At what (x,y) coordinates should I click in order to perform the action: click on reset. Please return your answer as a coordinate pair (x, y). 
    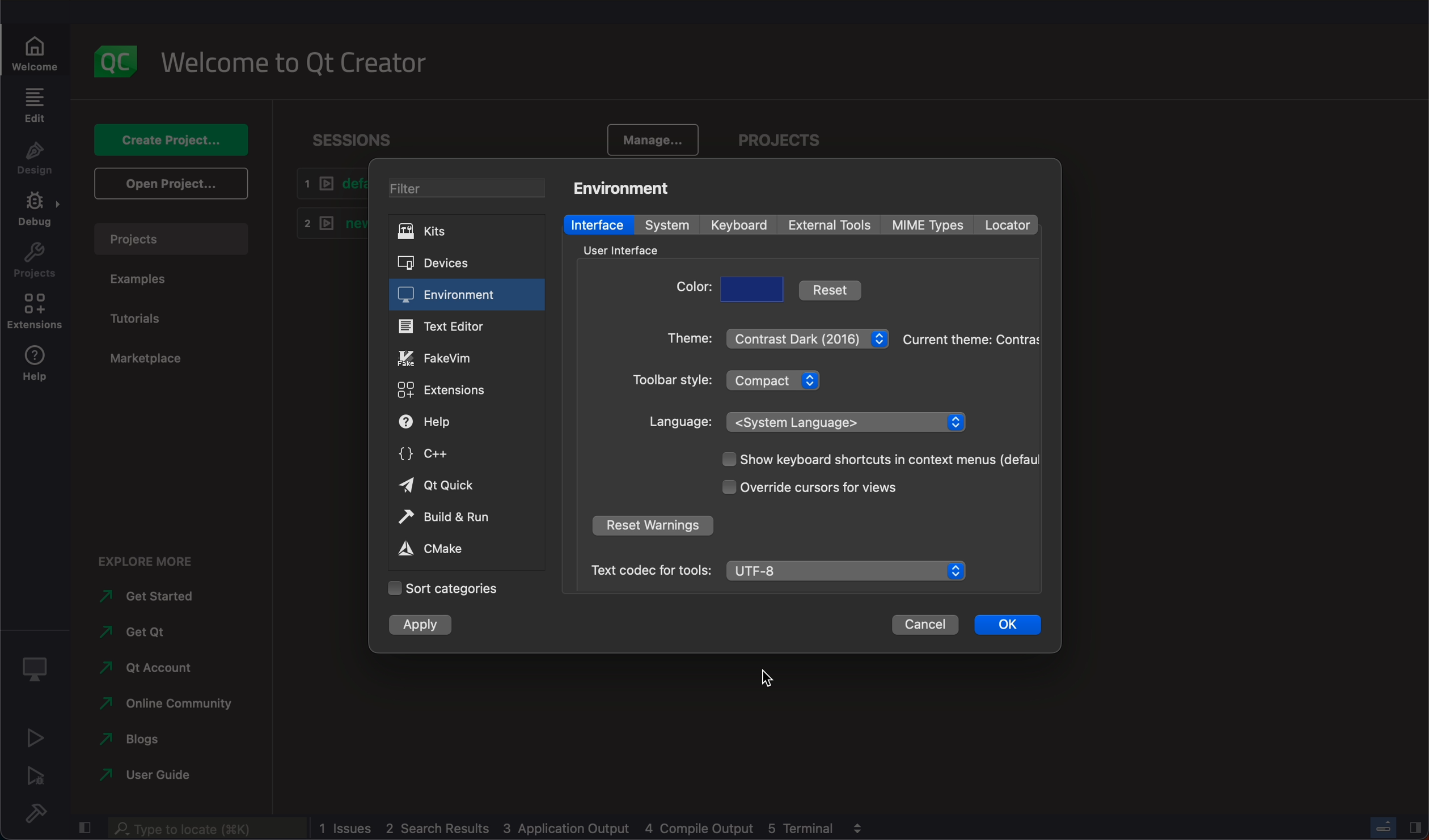
    Looking at the image, I should click on (831, 289).